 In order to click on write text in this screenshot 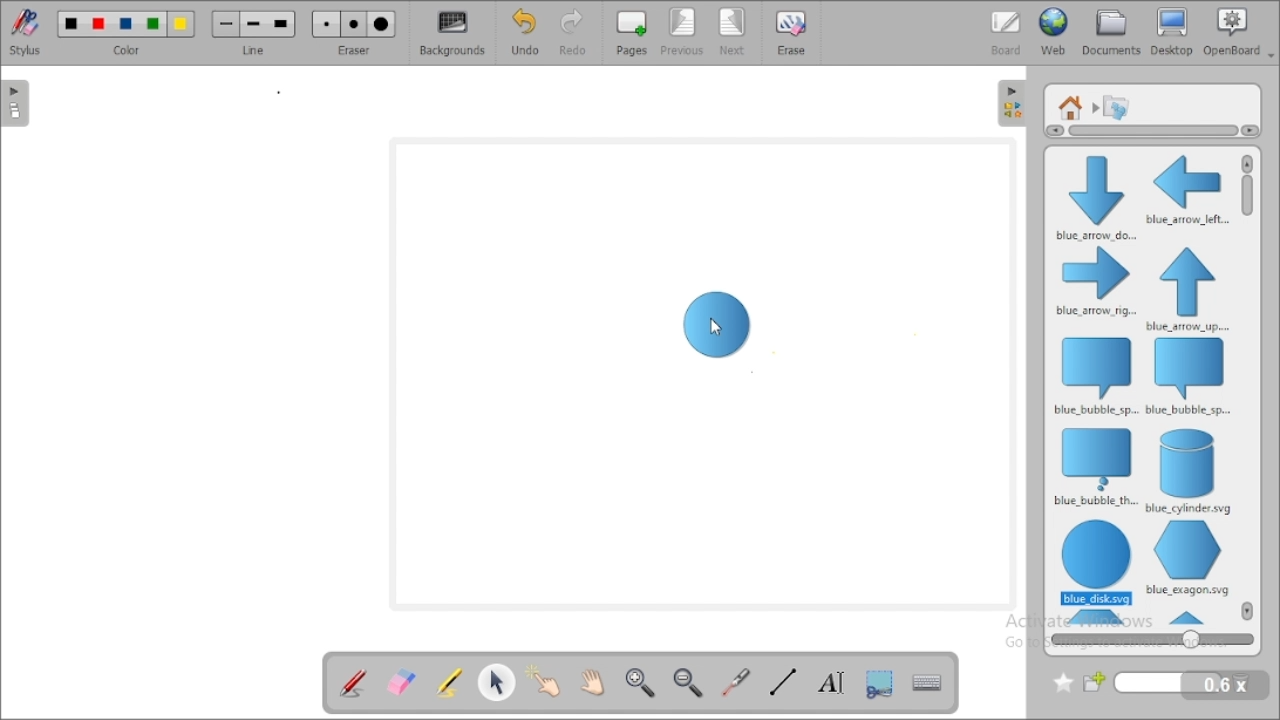, I will do `click(830, 681)`.